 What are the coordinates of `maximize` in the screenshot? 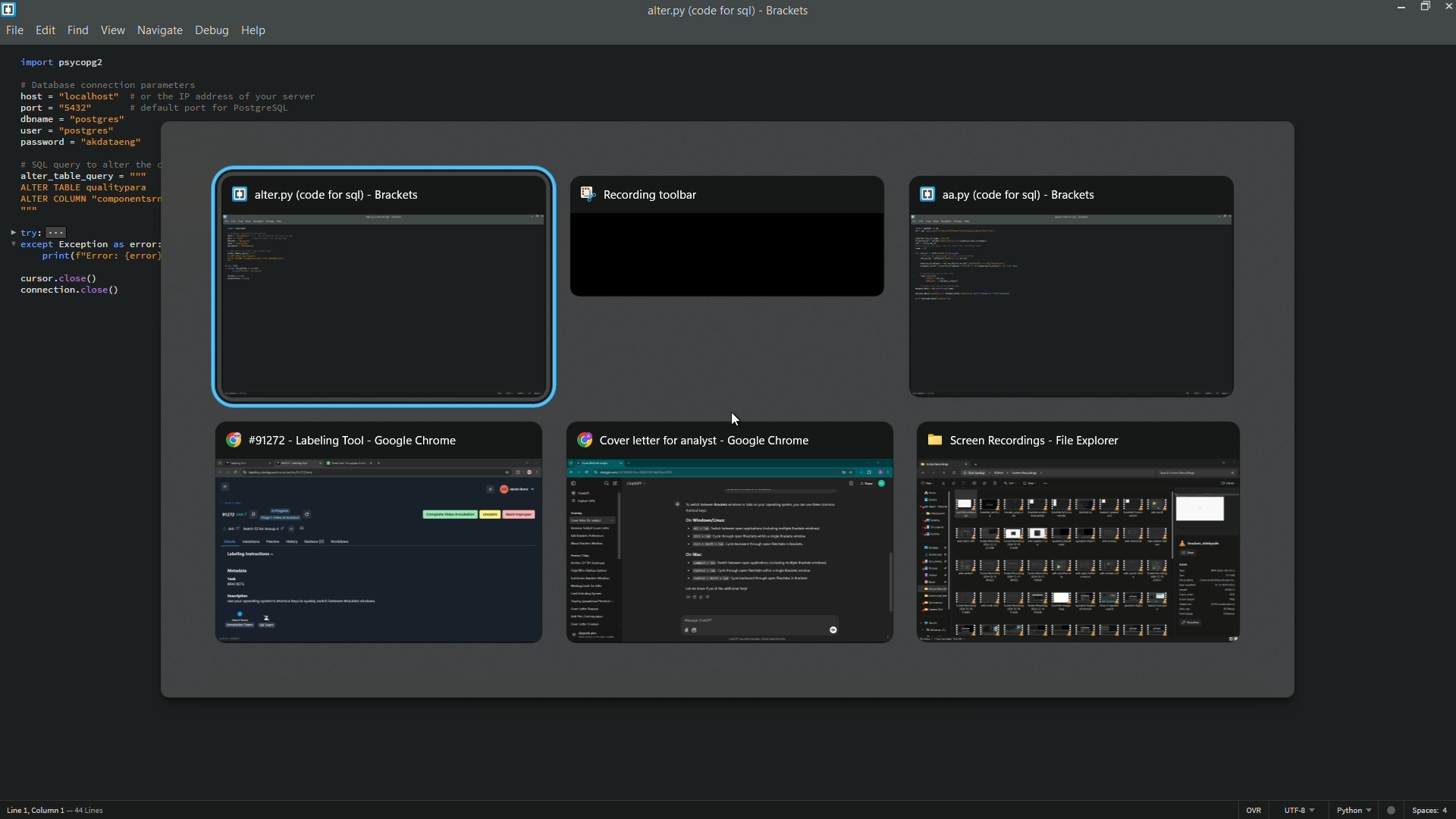 It's located at (1423, 7).